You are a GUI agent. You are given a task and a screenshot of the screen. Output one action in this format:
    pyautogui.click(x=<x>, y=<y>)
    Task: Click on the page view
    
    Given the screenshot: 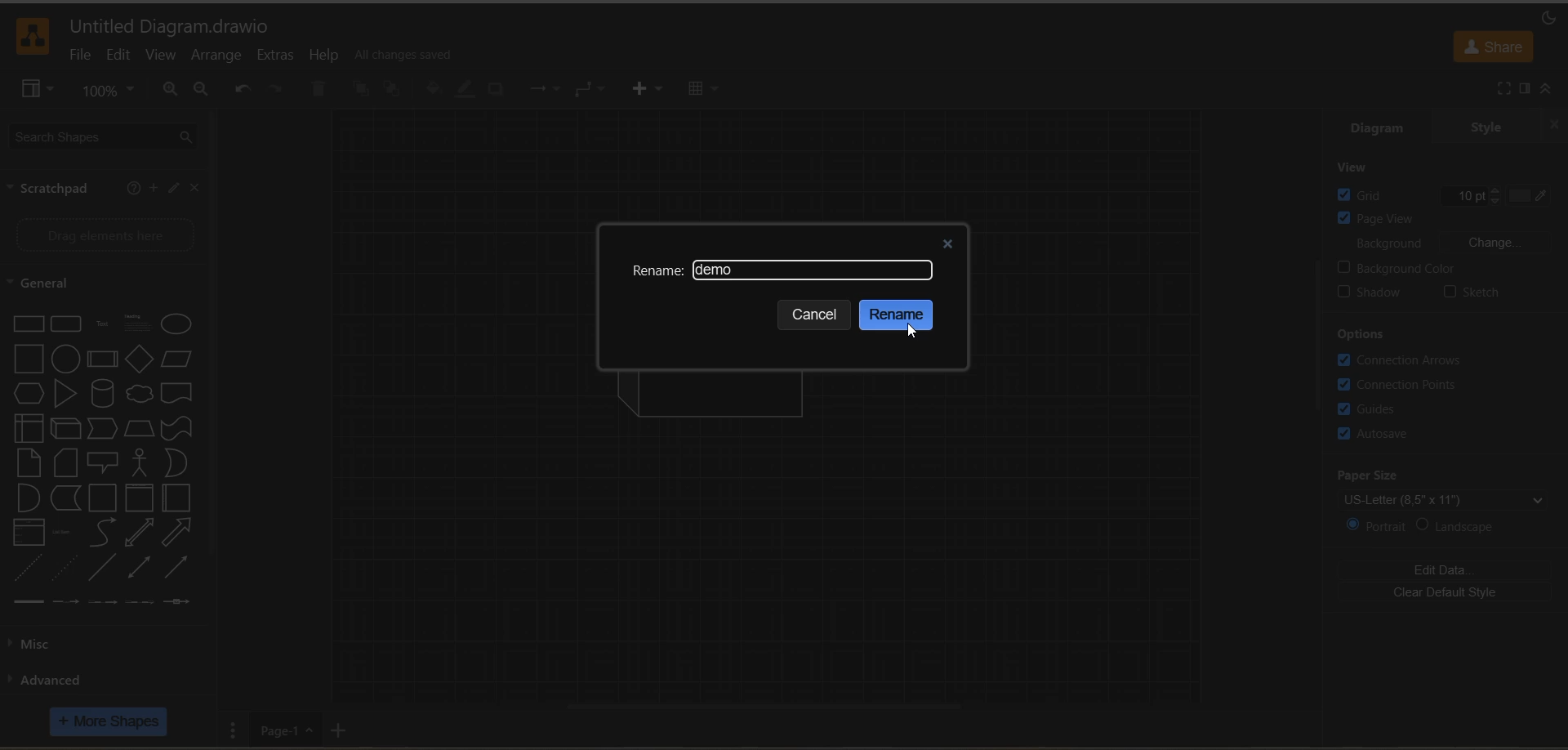 What is the action you would take?
    pyautogui.click(x=1439, y=219)
    